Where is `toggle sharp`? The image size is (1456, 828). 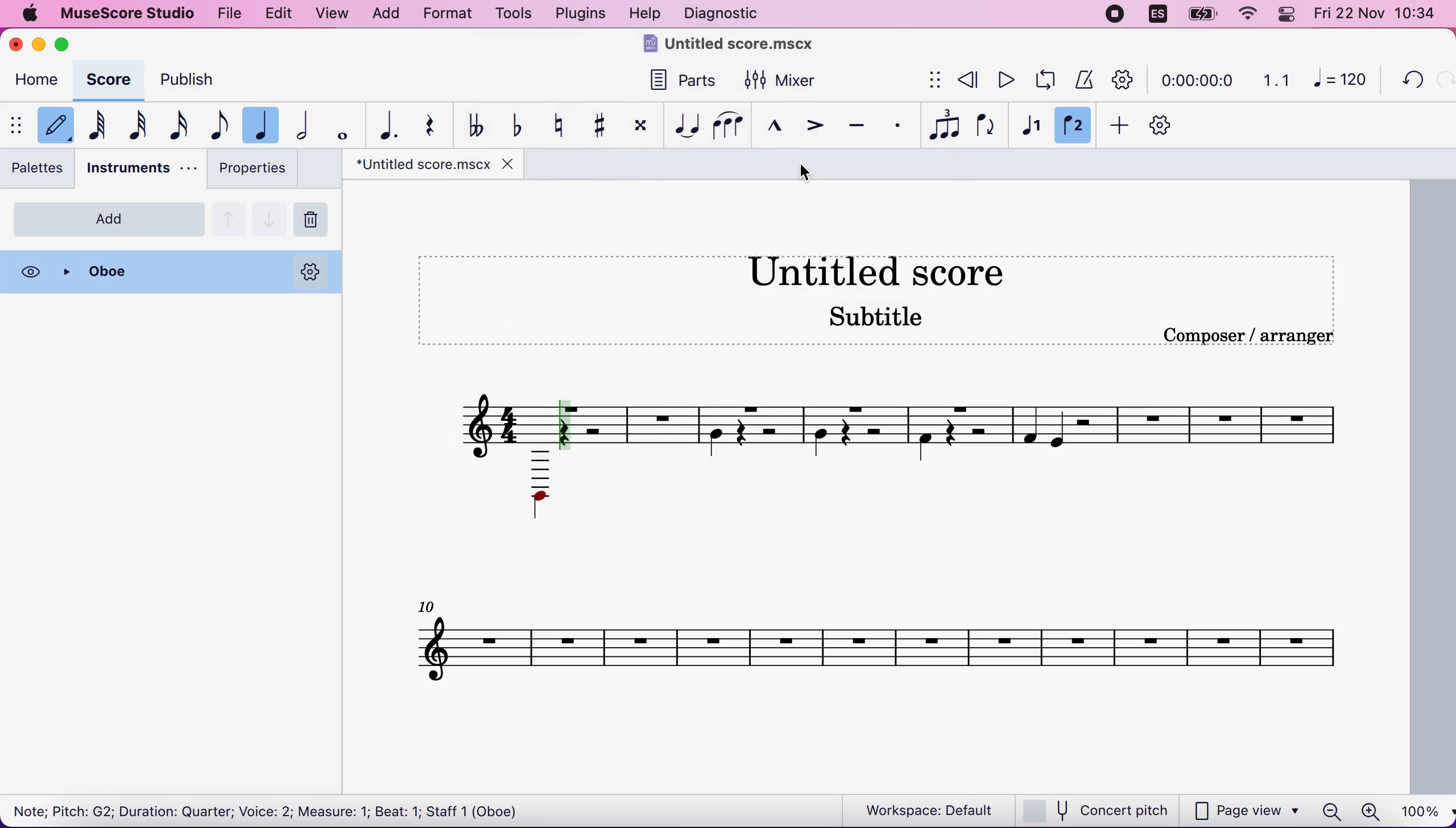
toggle sharp is located at coordinates (603, 125).